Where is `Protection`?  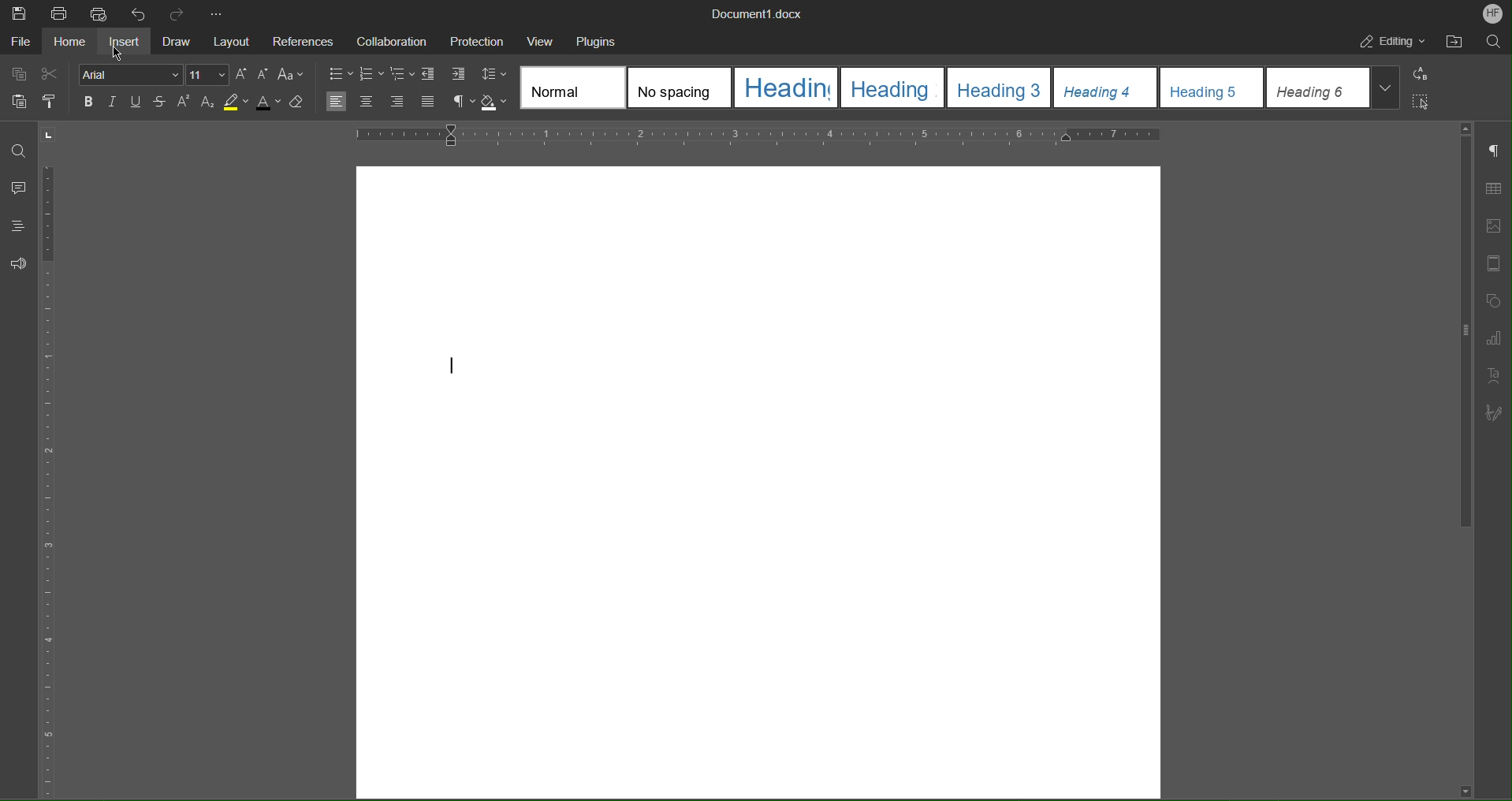
Protection is located at coordinates (471, 38).